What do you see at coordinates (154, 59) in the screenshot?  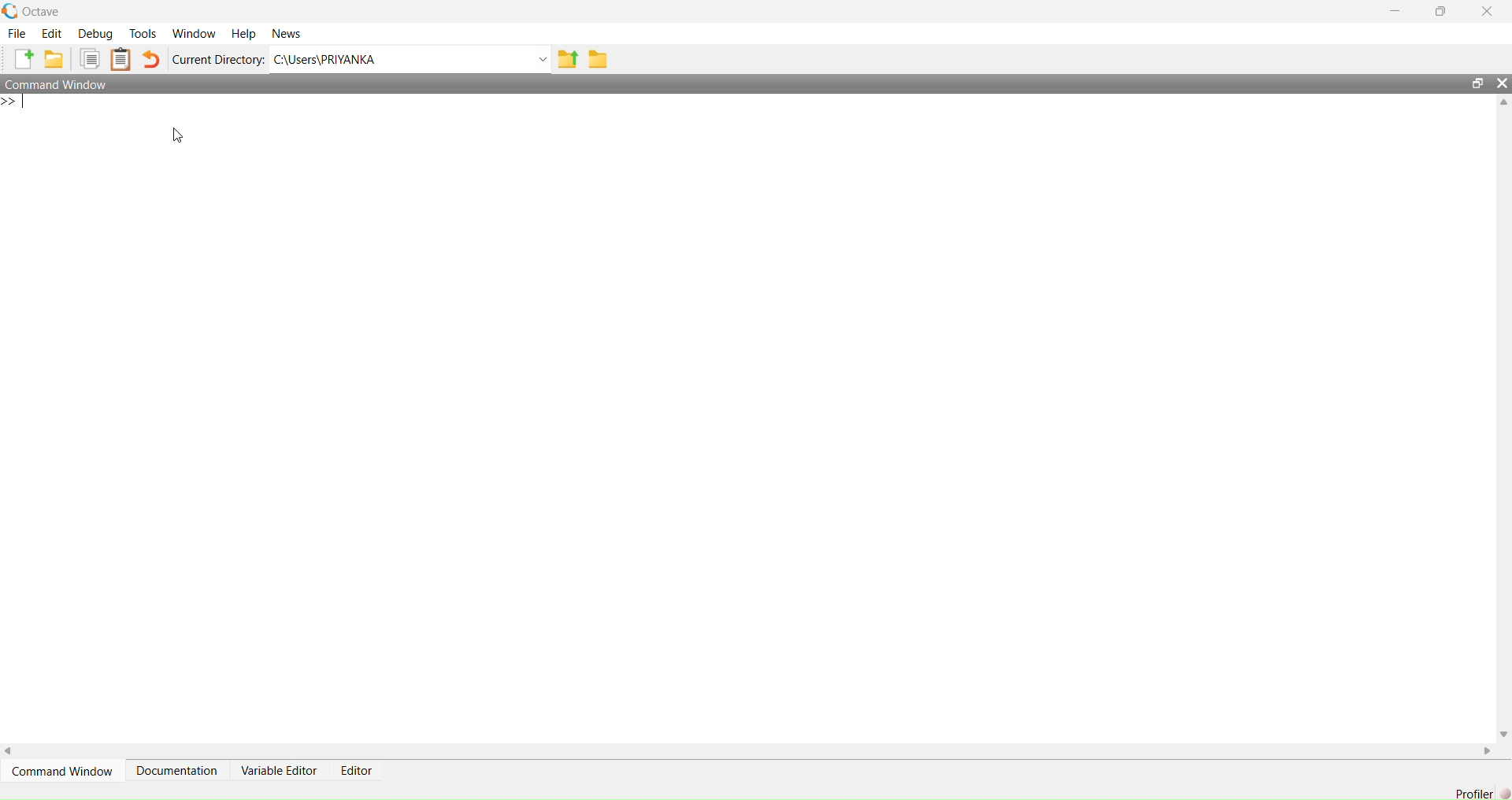 I see `undo` at bounding box center [154, 59].